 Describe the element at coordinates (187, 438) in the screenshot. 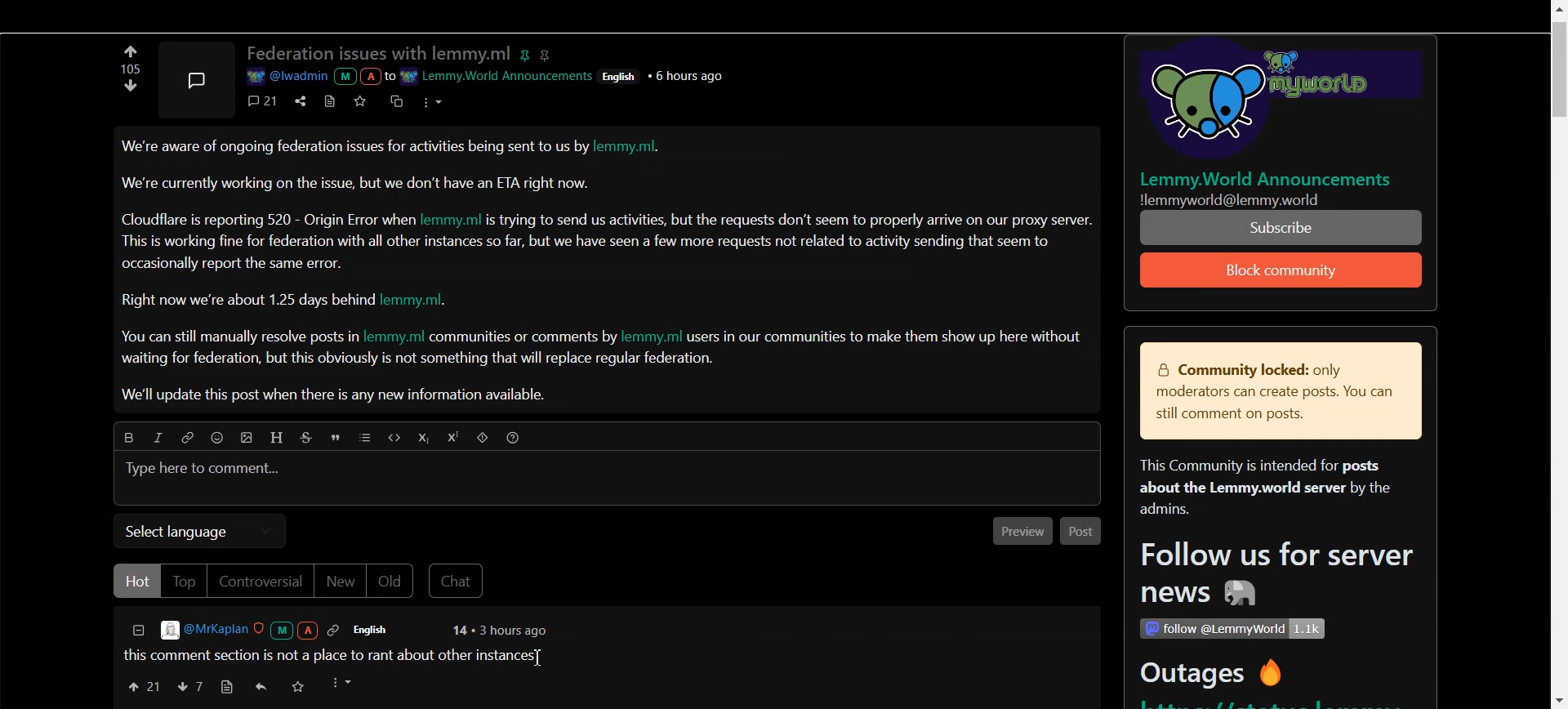

I see `Hyperlink` at that location.